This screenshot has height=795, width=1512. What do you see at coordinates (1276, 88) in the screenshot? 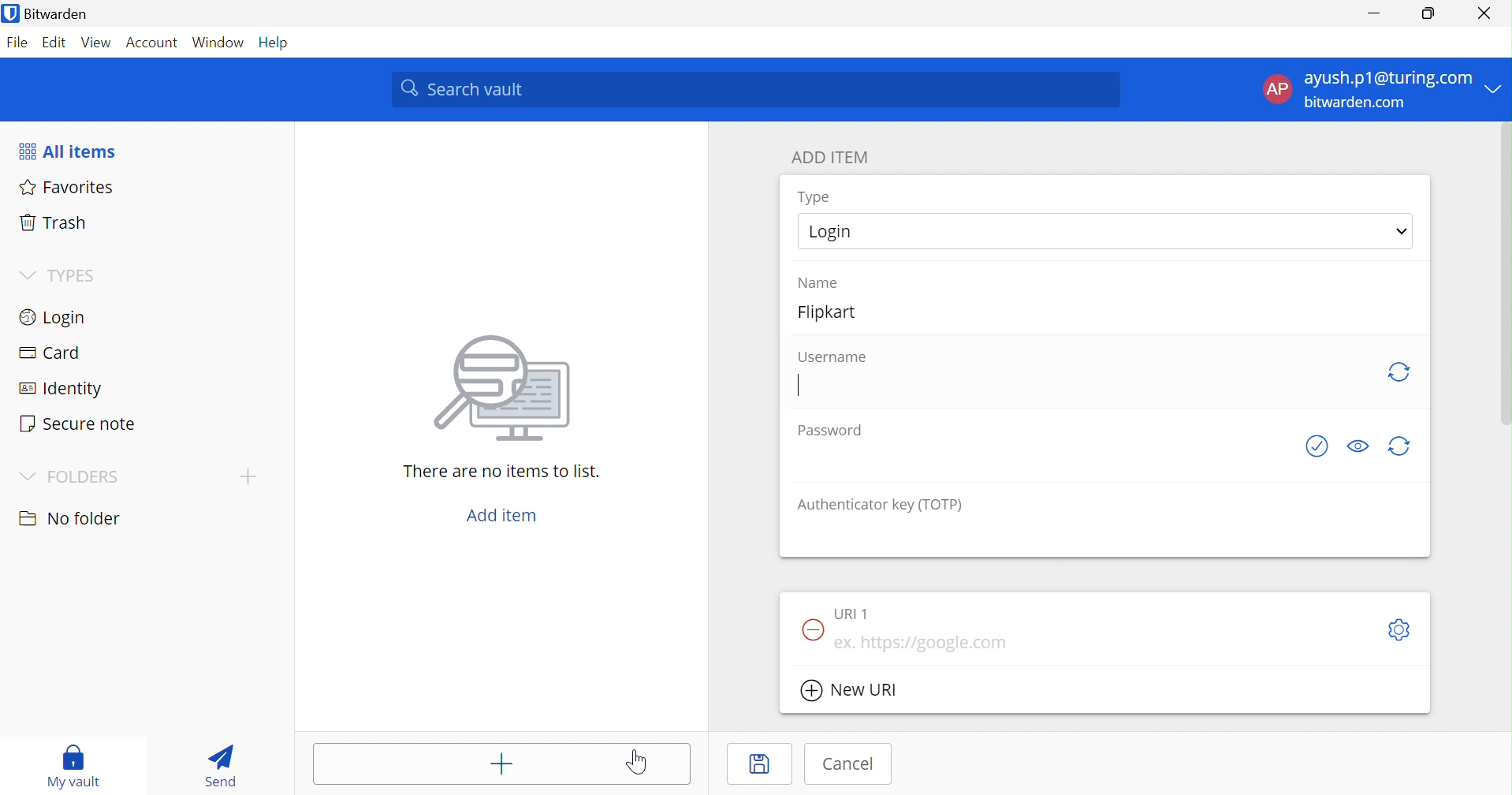
I see `AP` at bounding box center [1276, 88].